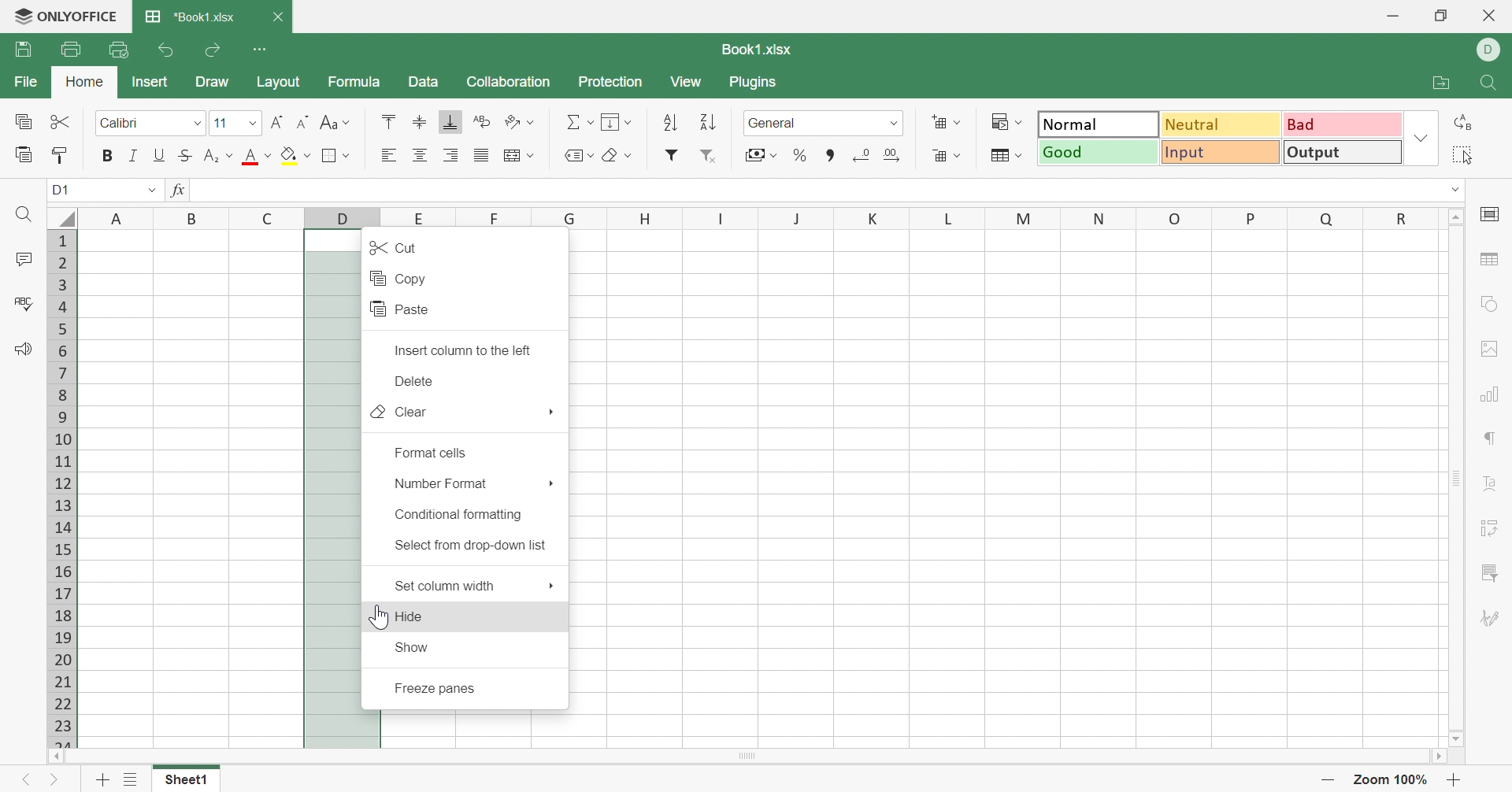 The height and width of the screenshot is (792, 1512). Describe the element at coordinates (752, 154) in the screenshot. I see `Accountancy style` at that location.